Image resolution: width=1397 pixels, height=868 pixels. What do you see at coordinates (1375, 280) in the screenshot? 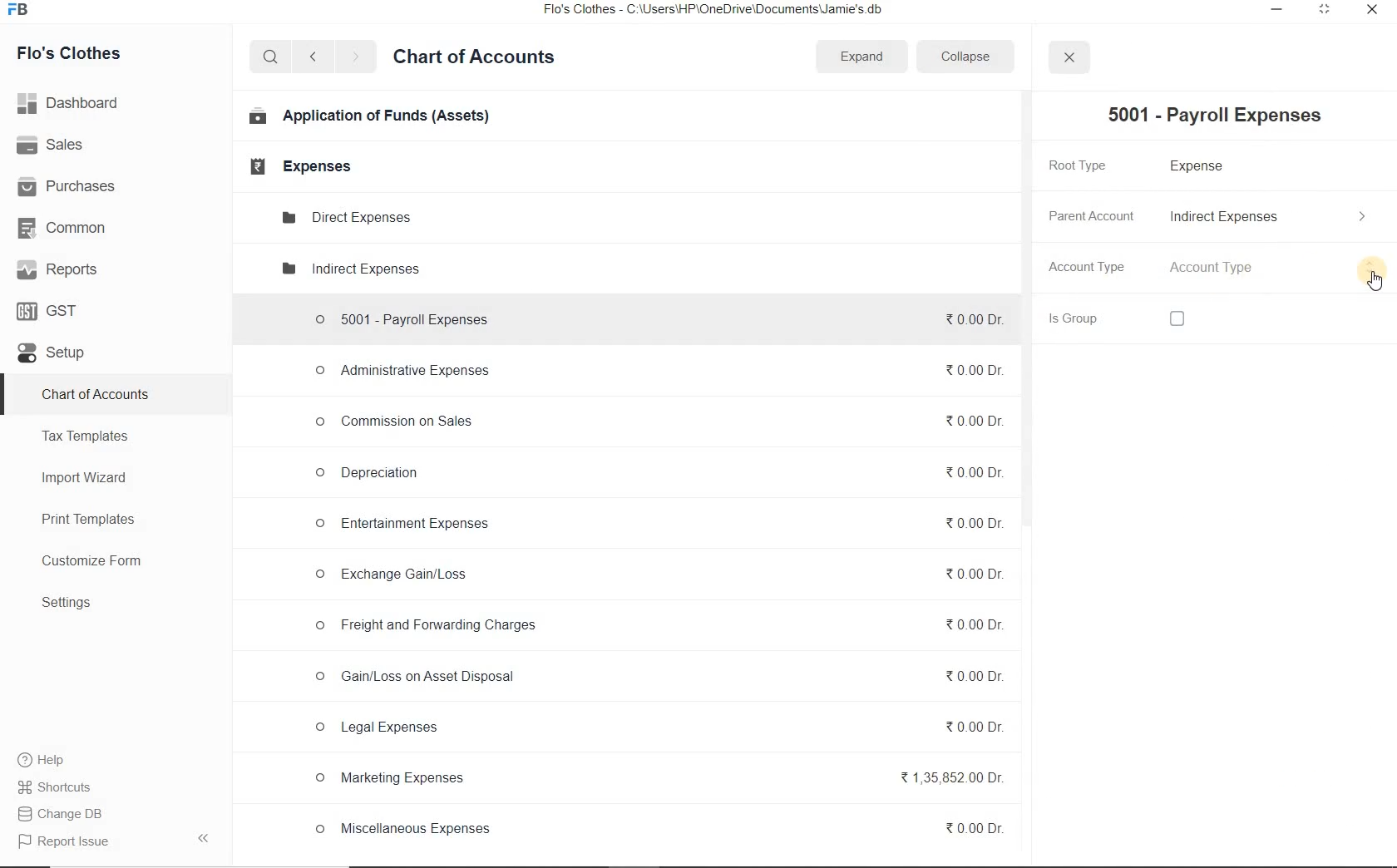
I see `cursor` at bounding box center [1375, 280].